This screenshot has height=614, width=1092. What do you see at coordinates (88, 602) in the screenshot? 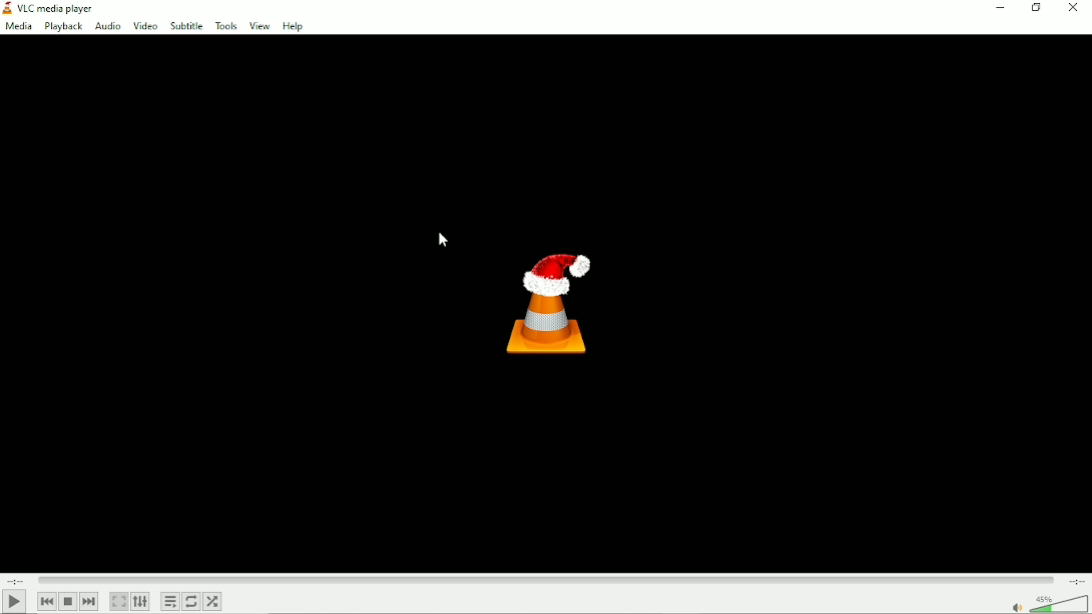
I see `Next` at bounding box center [88, 602].